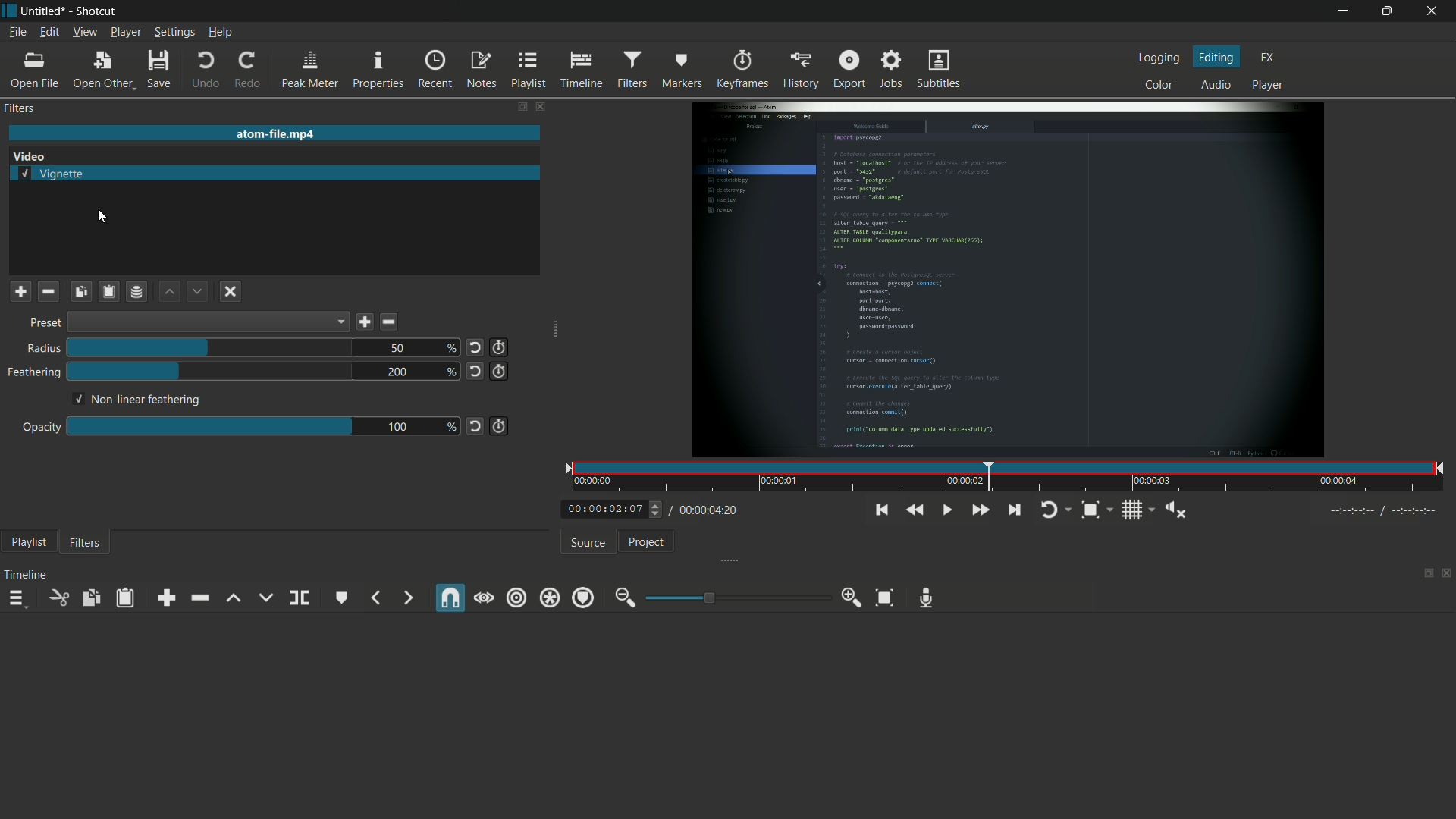  Describe the element at coordinates (647, 542) in the screenshot. I see `project` at that location.